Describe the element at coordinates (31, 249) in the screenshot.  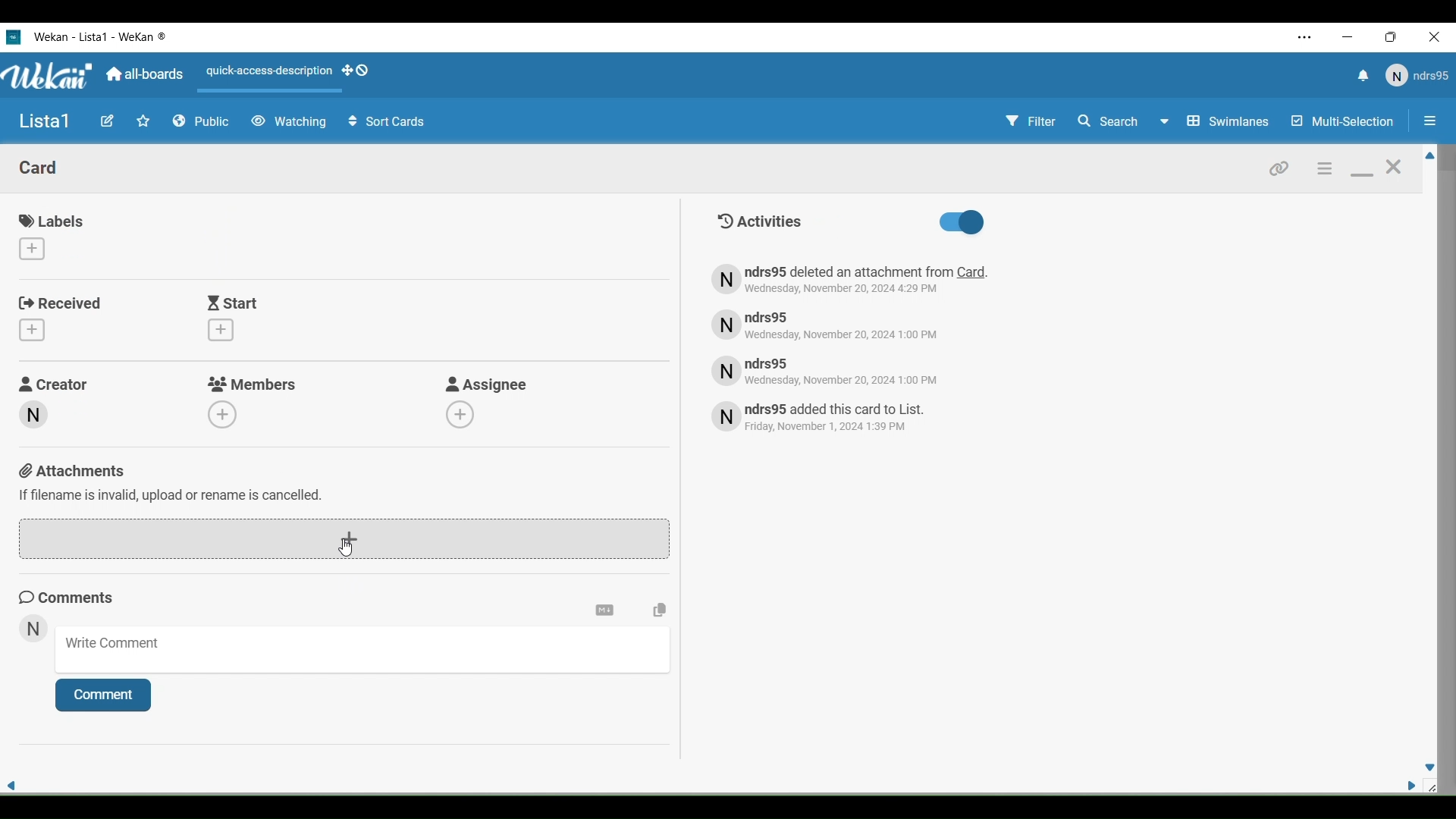
I see `Add labbels` at that location.